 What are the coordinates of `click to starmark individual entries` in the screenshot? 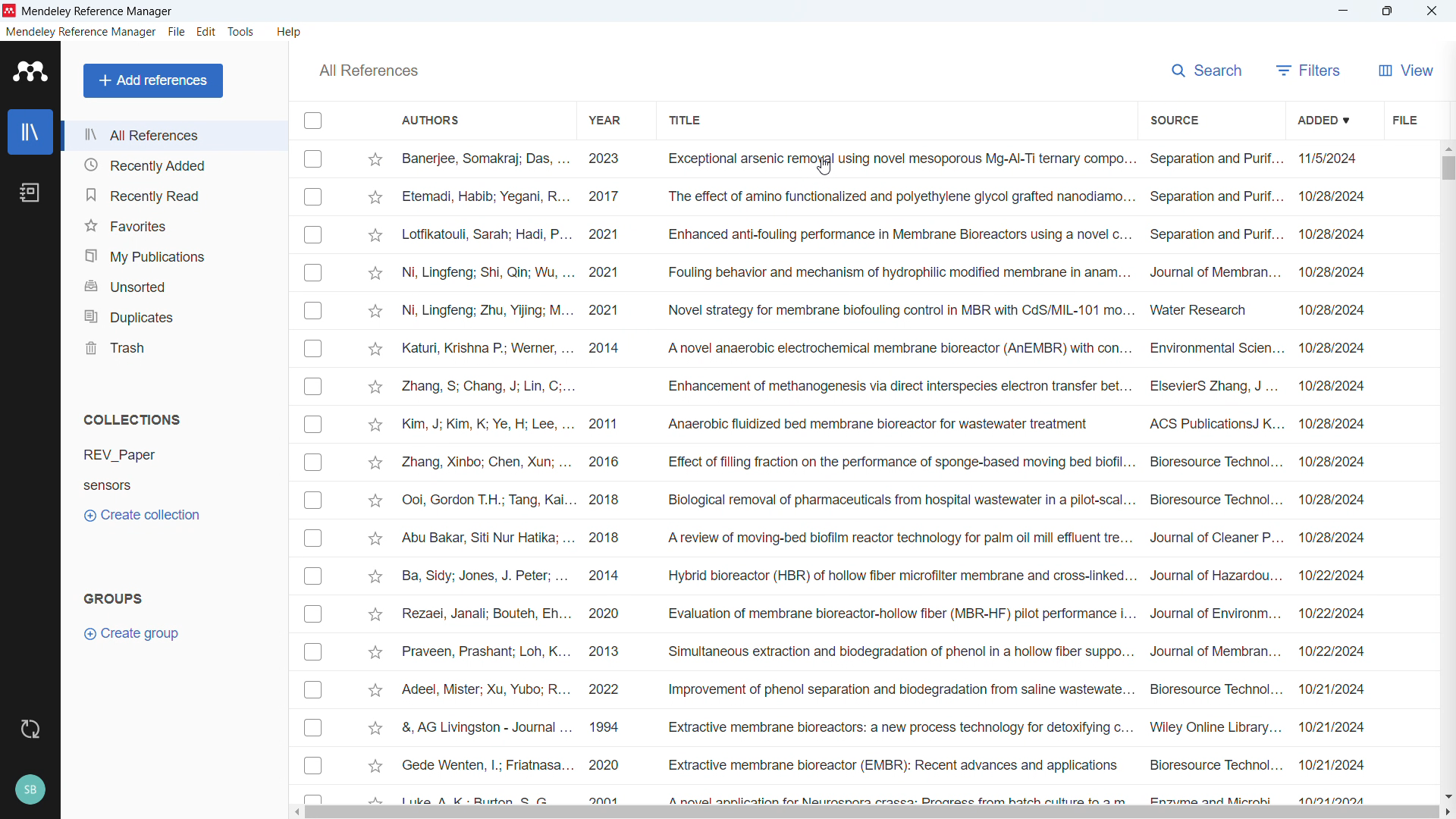 It's located at (372, 728).